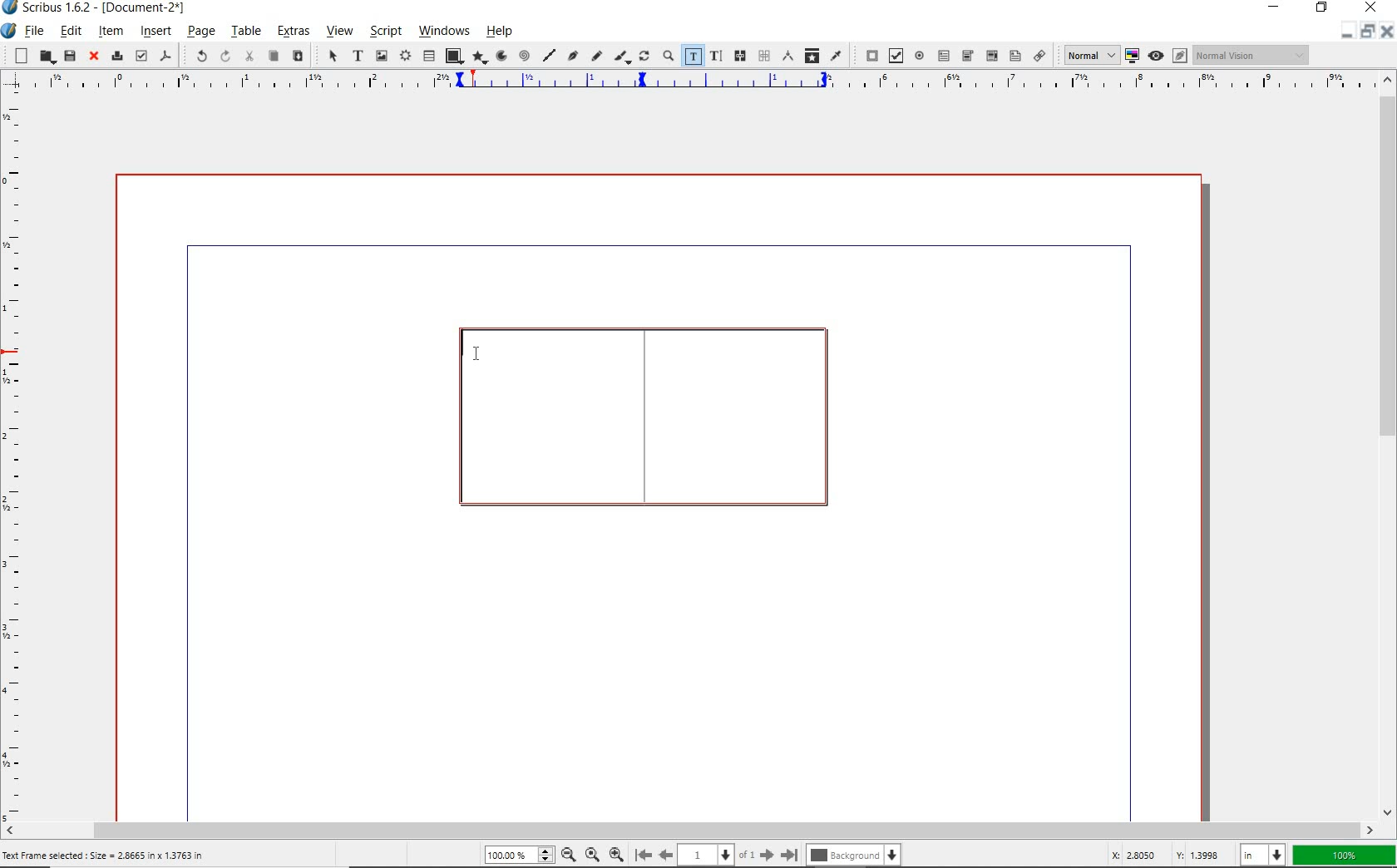 Image resolution: width=1397 pixels, height=868 pixels. I want to click on  Scribus 1.6.2 - (Document-2*), so click(105, 8).